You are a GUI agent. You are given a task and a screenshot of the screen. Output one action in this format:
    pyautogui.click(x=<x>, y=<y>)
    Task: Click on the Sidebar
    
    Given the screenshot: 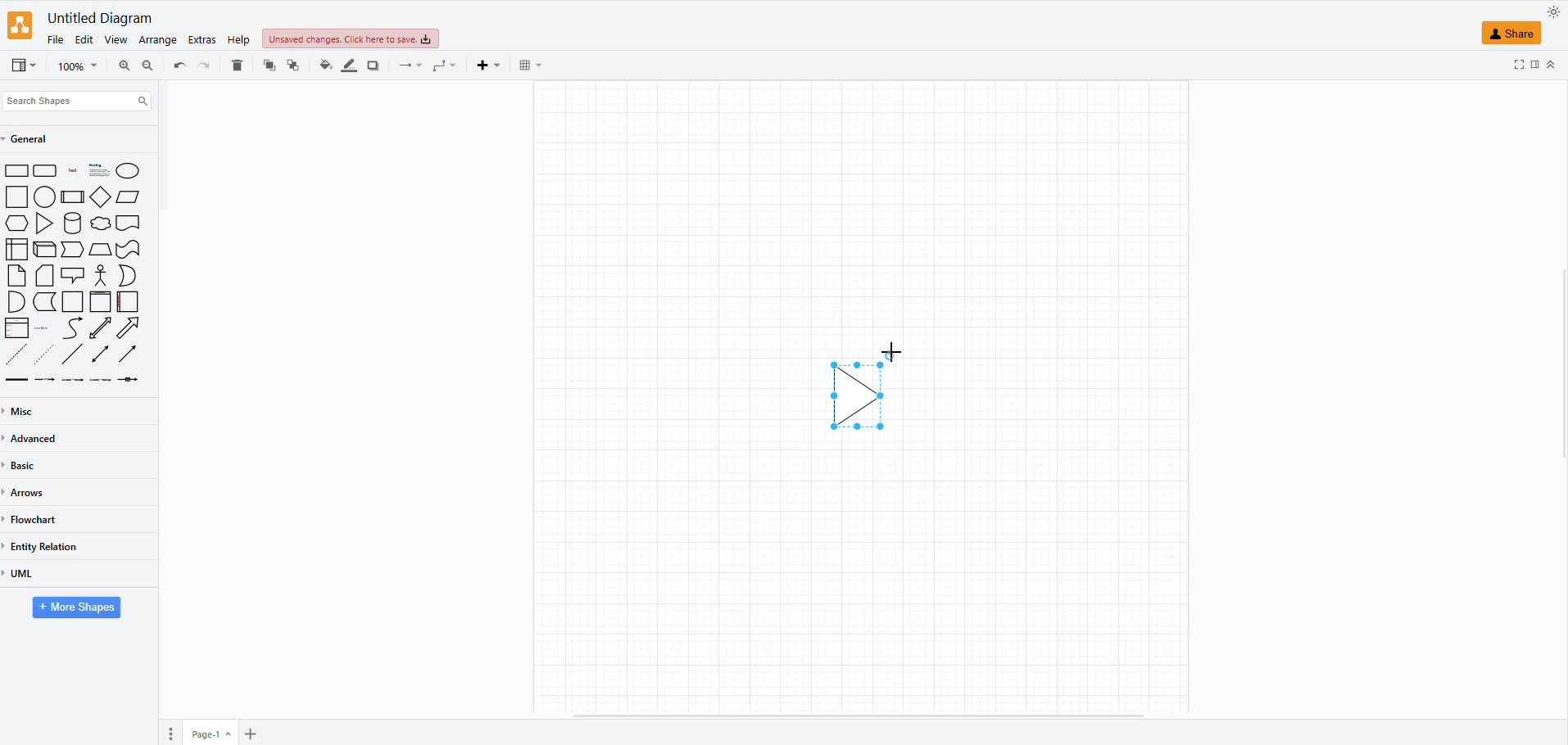 What is the action you would take?
    pyautogui.click(x=129, y=302)
    